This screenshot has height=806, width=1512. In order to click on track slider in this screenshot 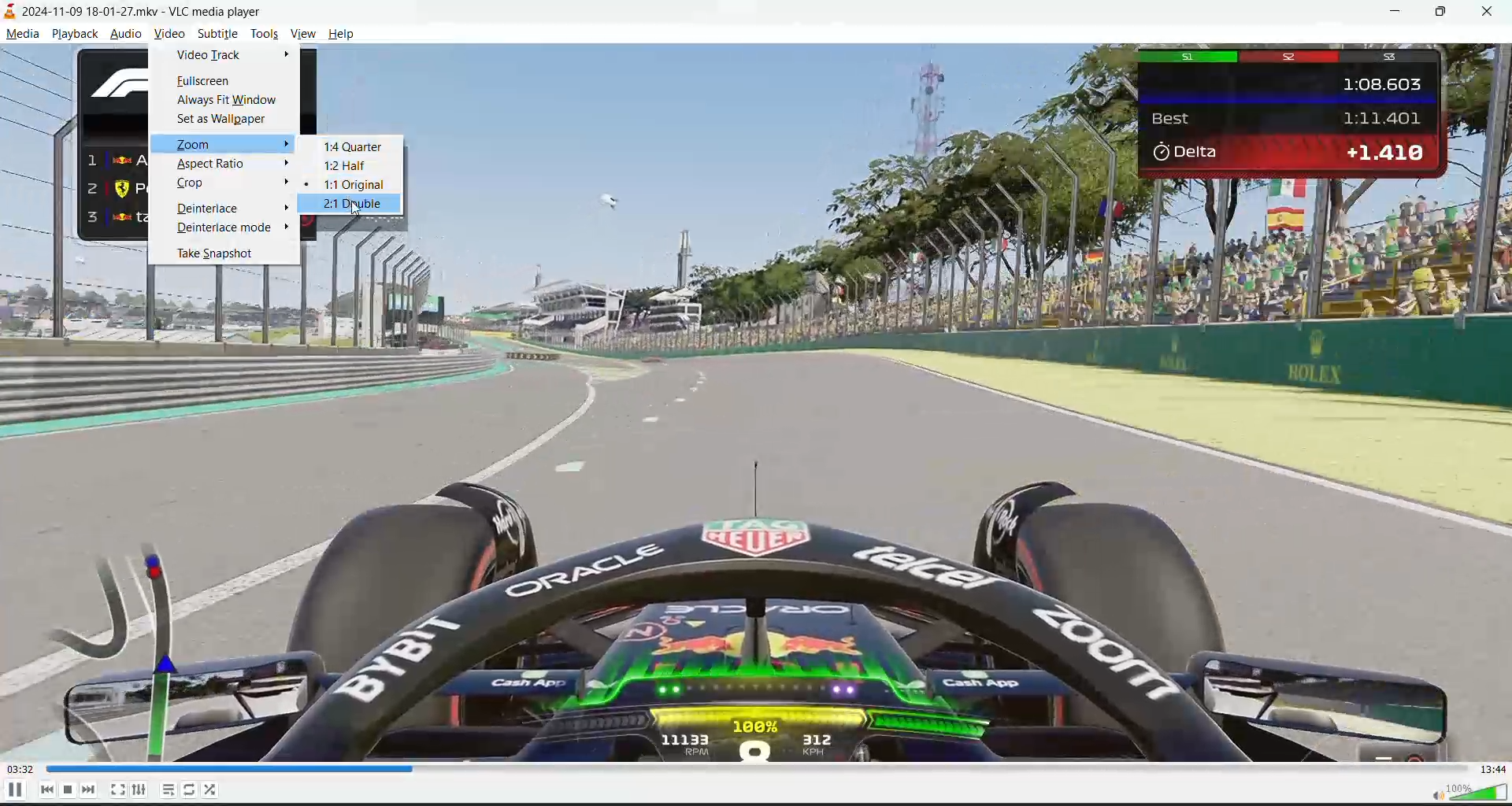, I will do `click(750, 769)`.